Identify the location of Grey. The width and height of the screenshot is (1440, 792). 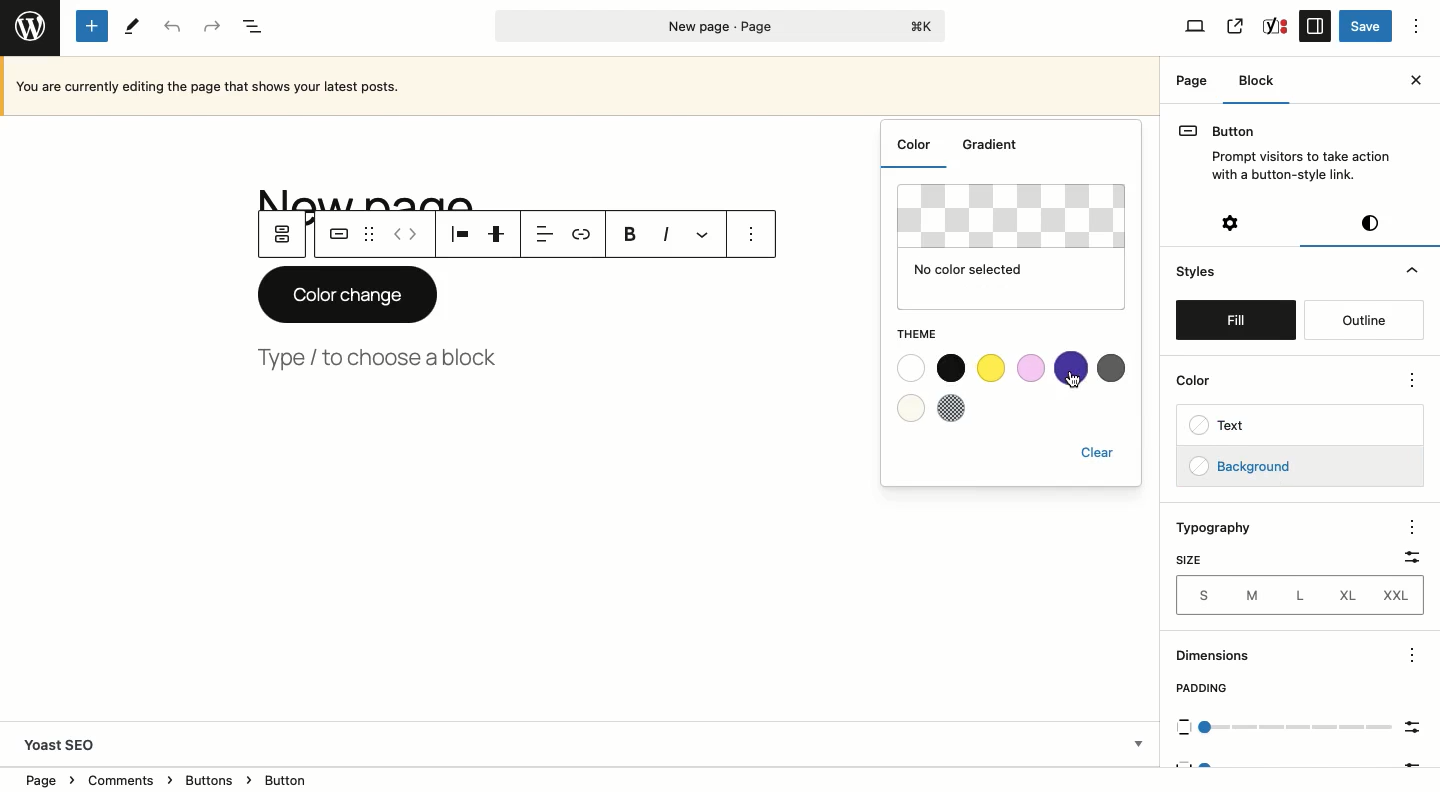
(1113, 369).